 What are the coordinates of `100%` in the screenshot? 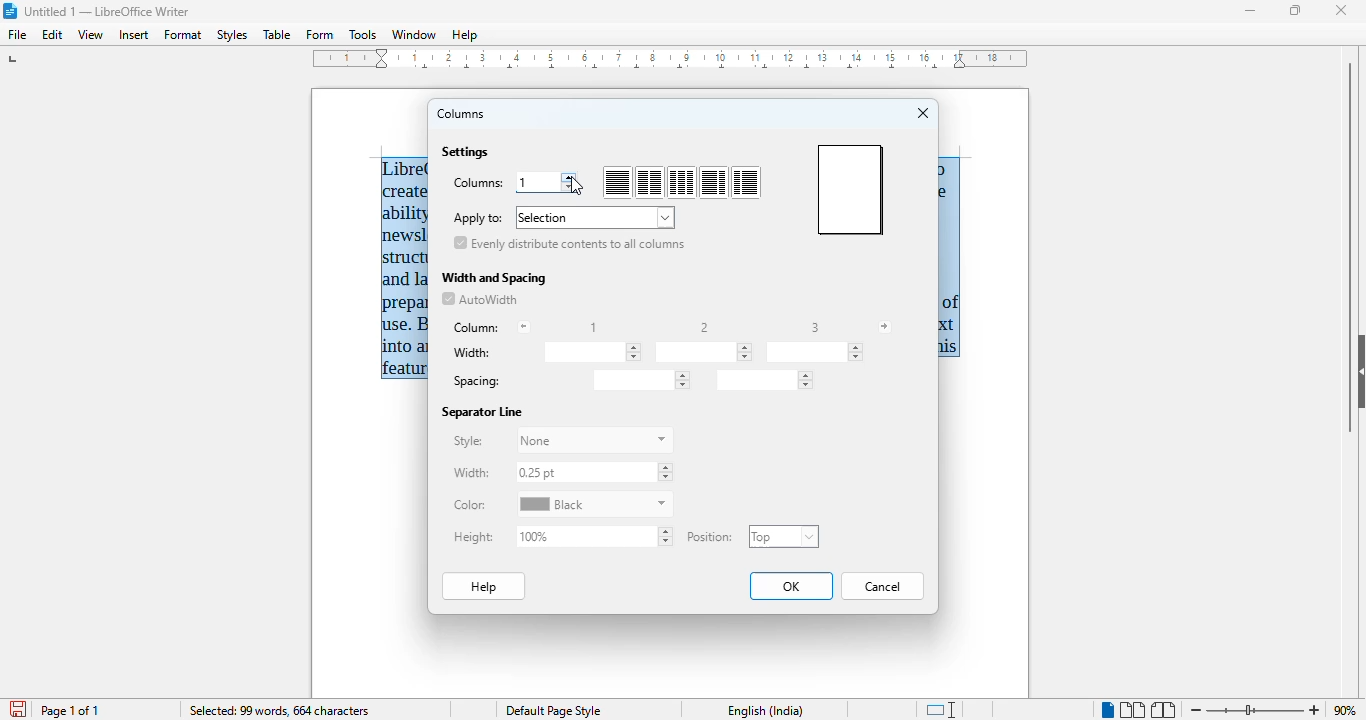 It's located at (594, 535).